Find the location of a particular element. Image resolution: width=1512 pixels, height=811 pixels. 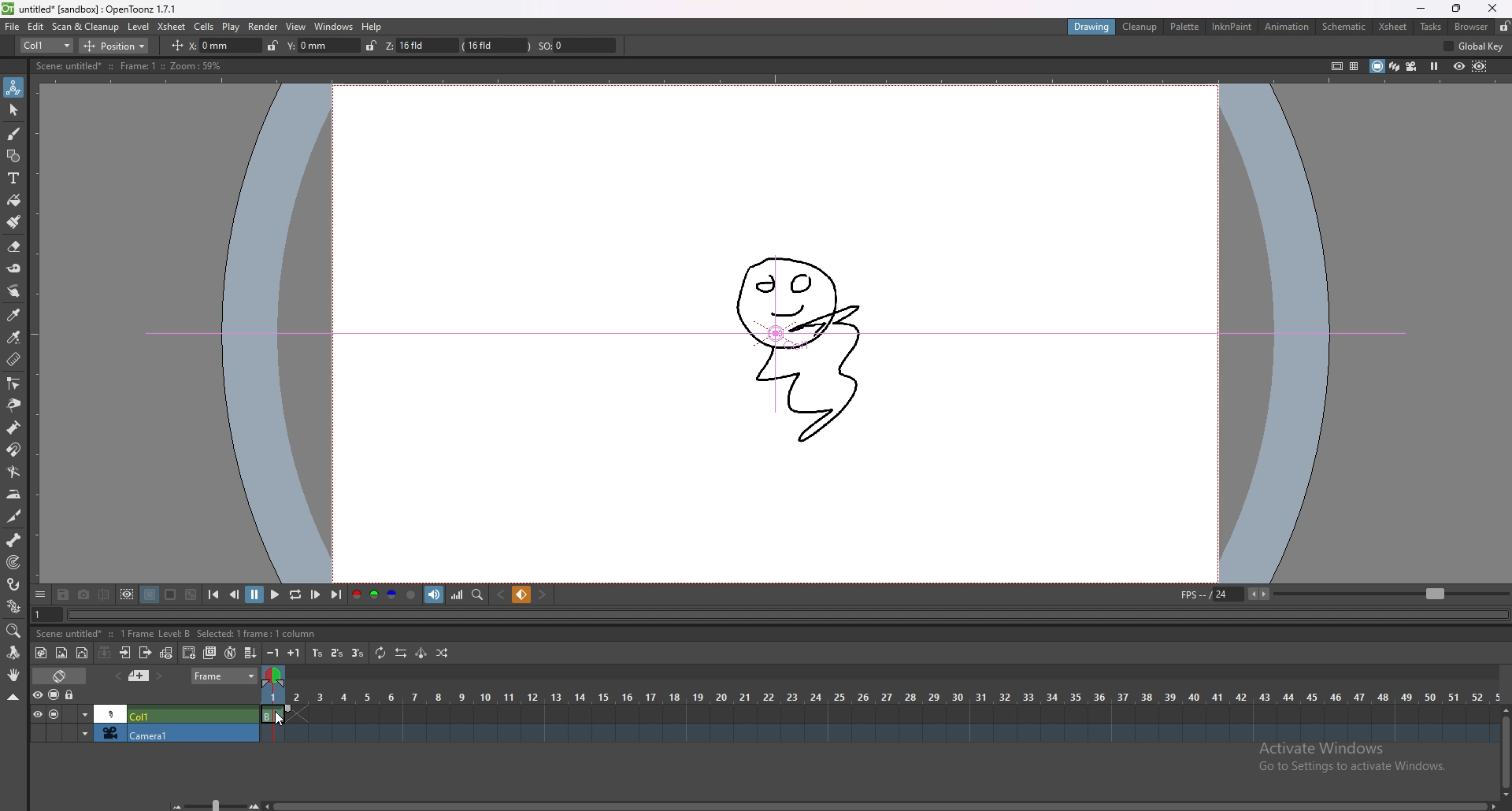

Z coordinates is located at coordinates (473, 46).